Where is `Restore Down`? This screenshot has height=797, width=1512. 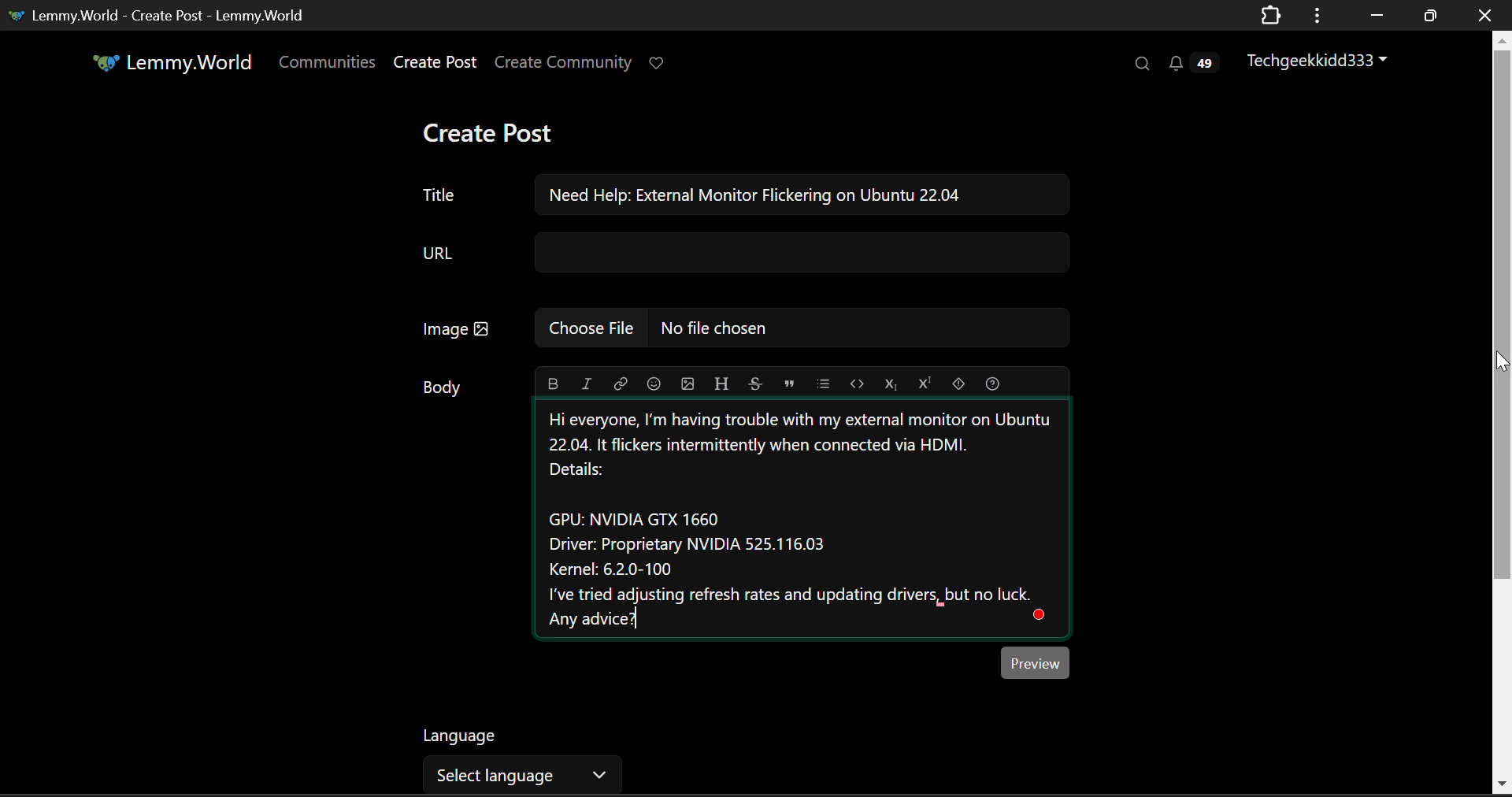 Restore Down is located at coordinates (1373, 13).